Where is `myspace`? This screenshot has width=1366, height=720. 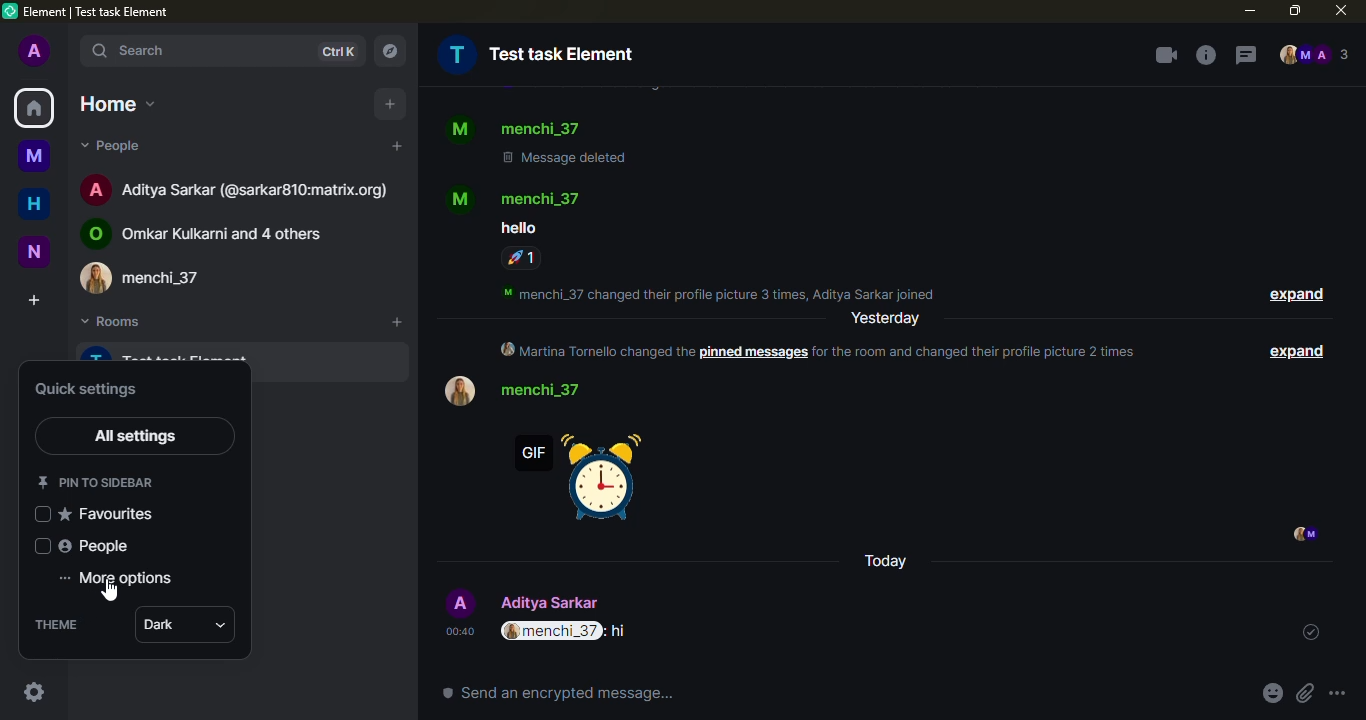 myspace is located at coordinates (35, 154).